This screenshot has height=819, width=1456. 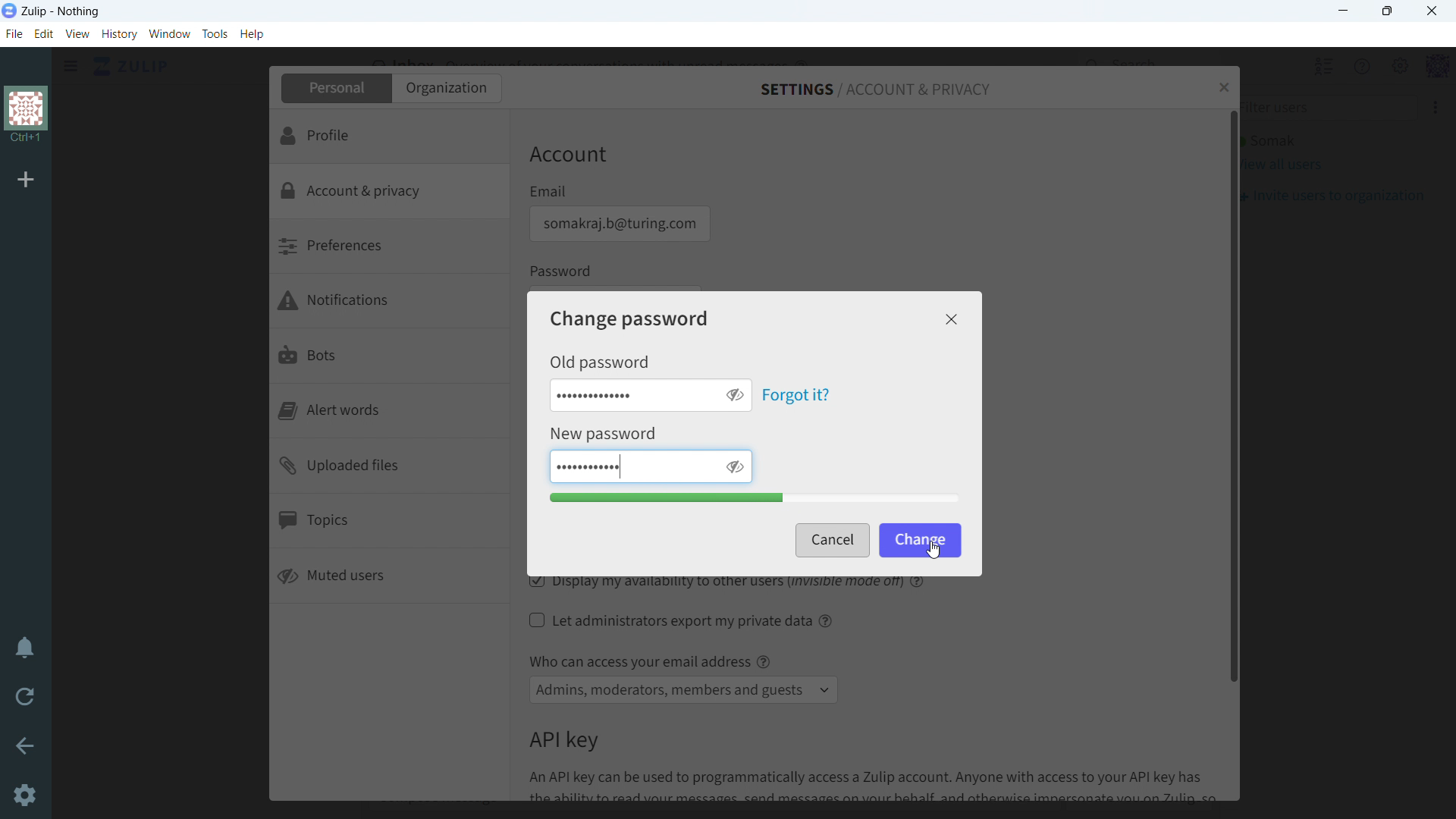 I want to click on help menu, so click(x=1358, y=66).